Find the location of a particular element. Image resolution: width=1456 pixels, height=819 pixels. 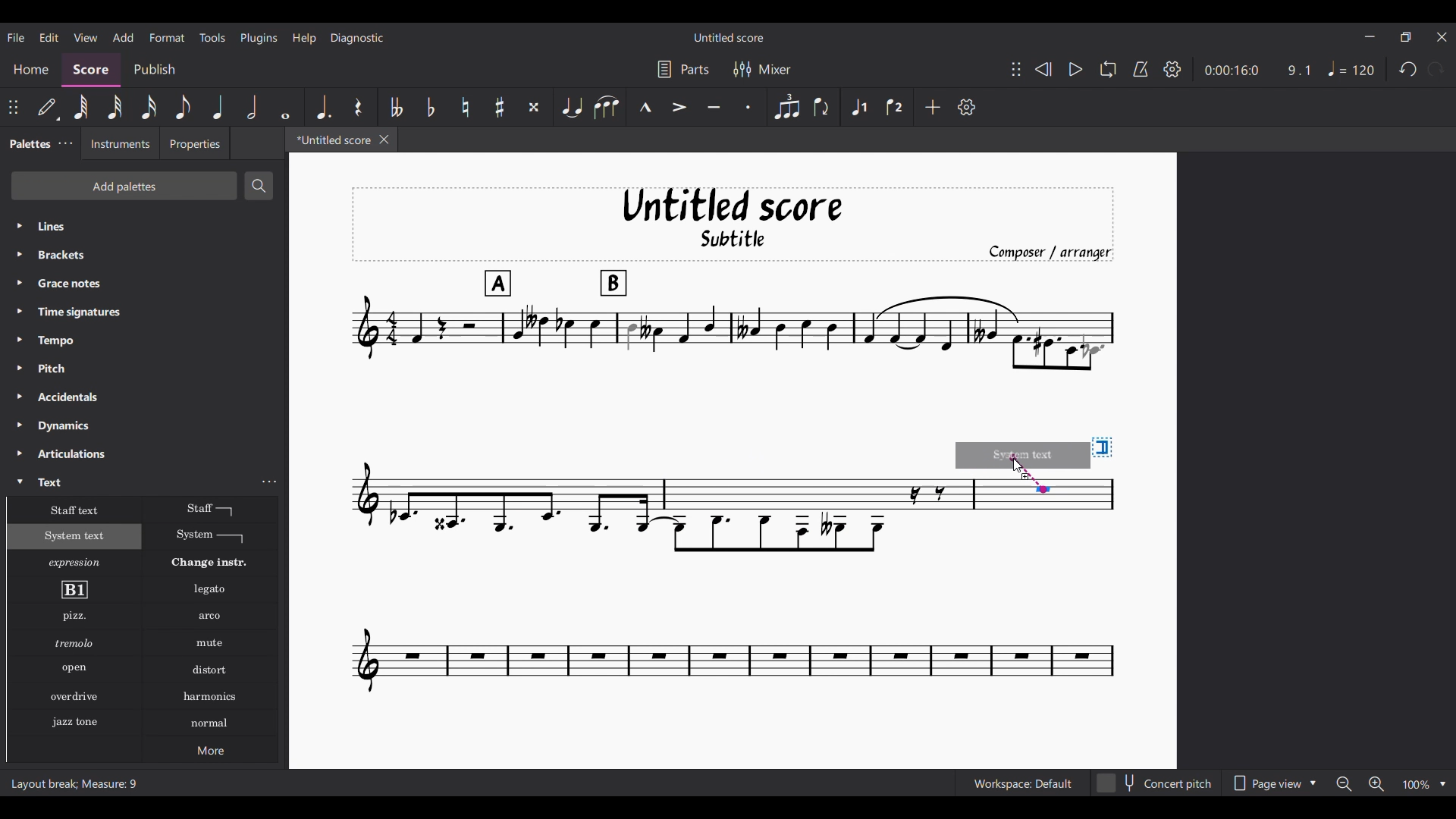

Toggle double sharp is located at coordinates (534, 107).